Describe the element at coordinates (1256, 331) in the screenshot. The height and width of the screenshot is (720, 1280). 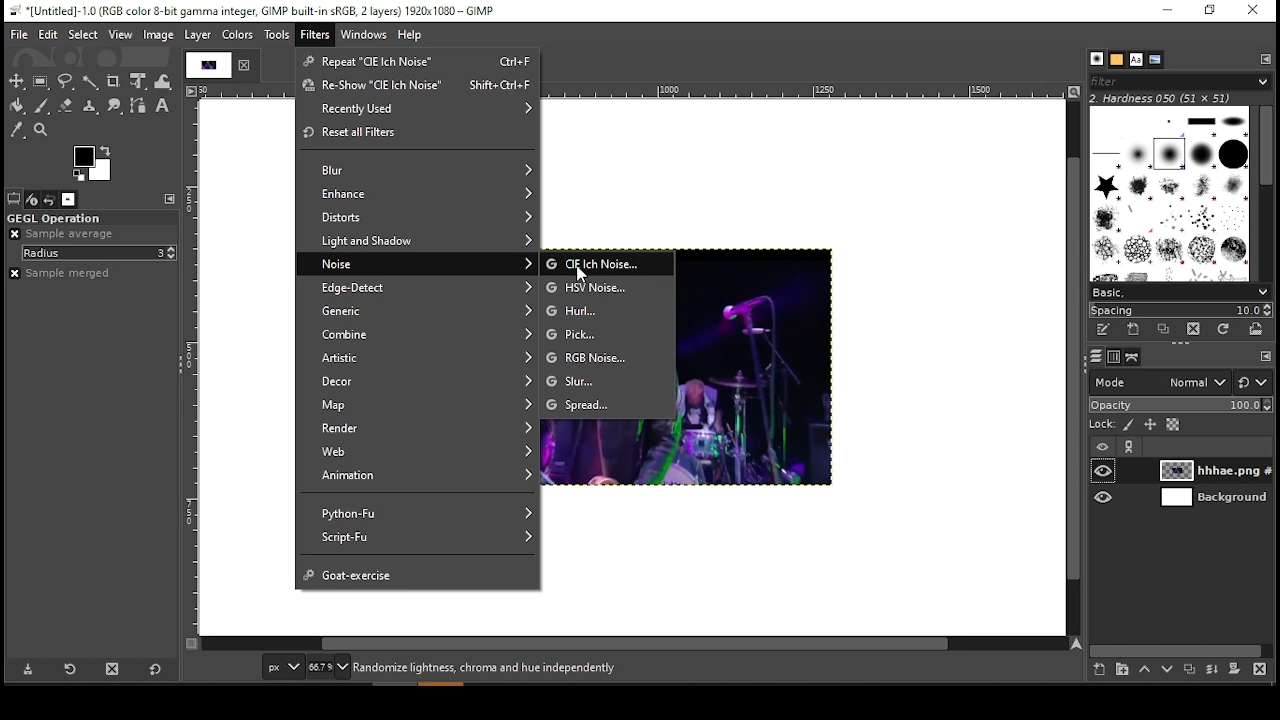
I see `open brush as image` at that location.